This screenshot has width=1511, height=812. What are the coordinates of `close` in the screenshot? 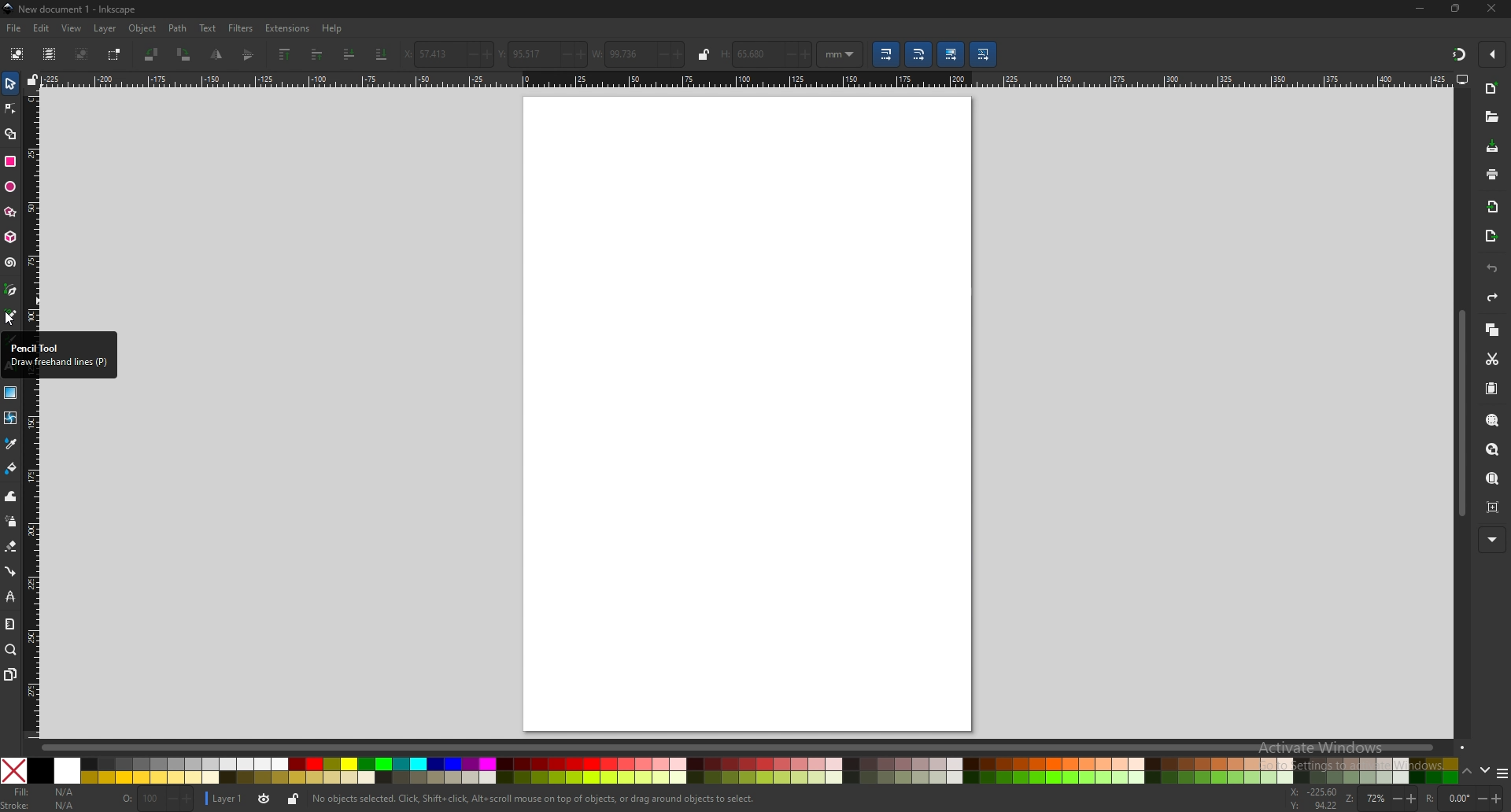 It's located at (1491, 9).